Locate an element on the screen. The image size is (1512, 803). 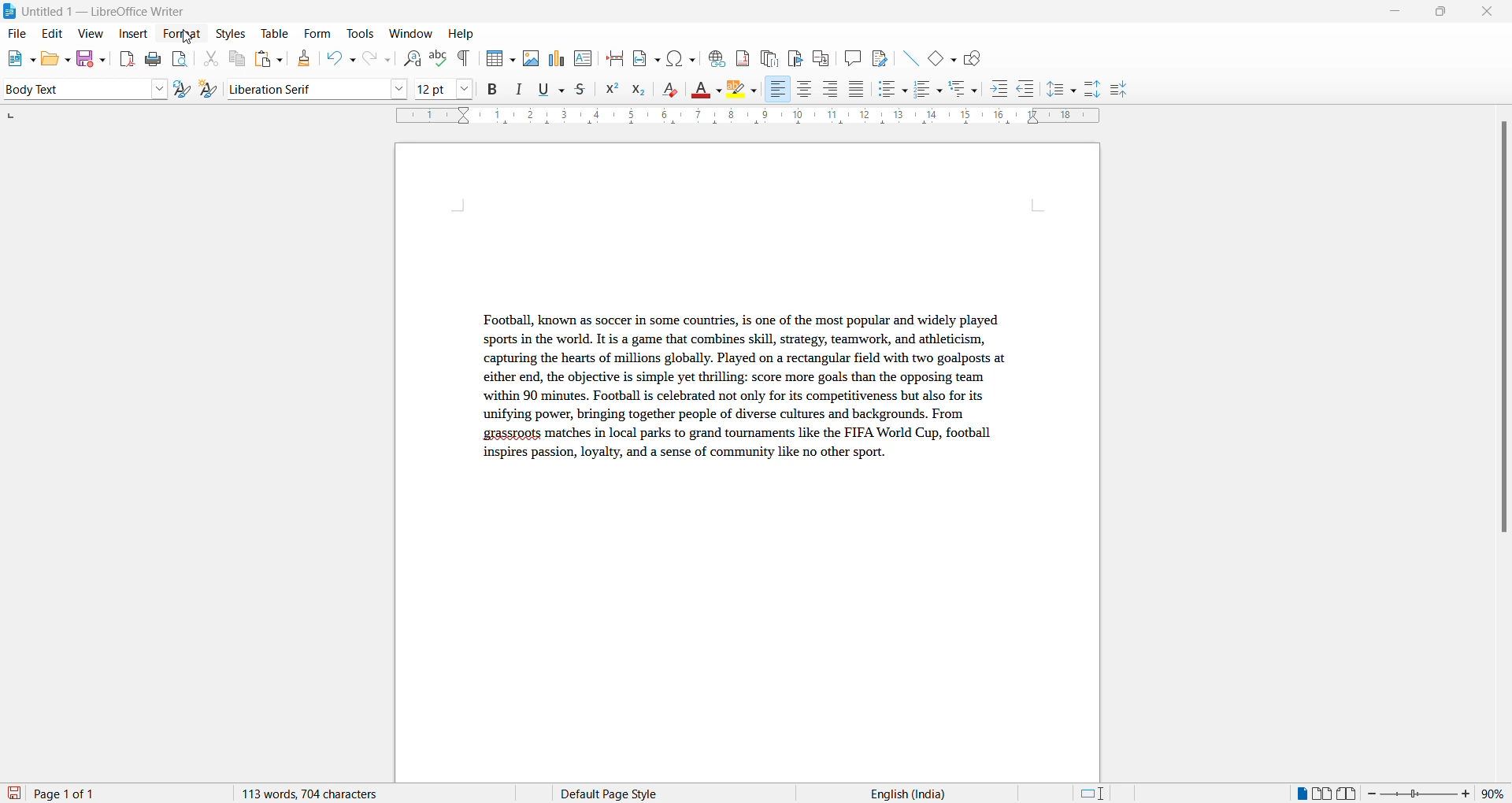
insert endnote is located at coordinates (766, 56).